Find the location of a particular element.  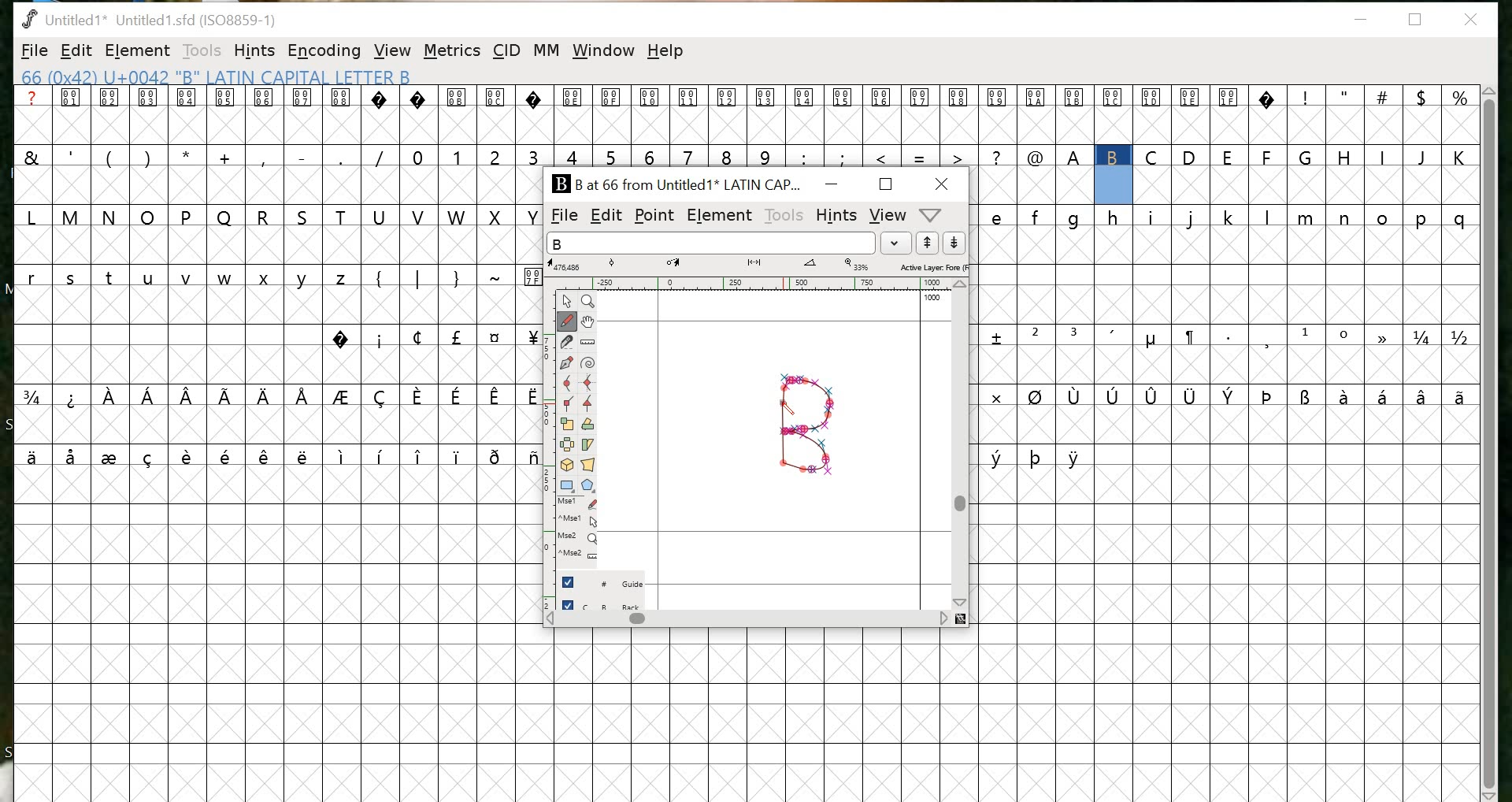

Pan is located at coordinates (588, 323).